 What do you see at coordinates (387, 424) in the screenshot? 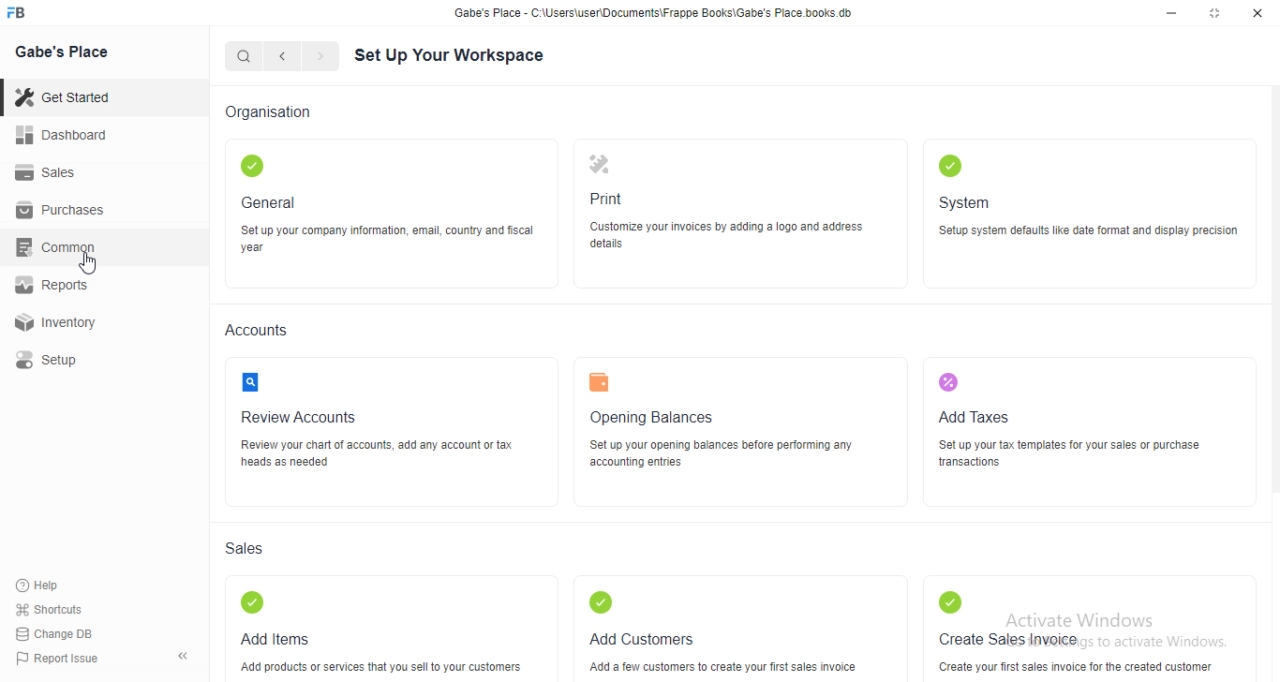
I see `Review Accounts
Review your chart of accounts, add any account or tax
heads as needed` at bounding box center [387, 424].